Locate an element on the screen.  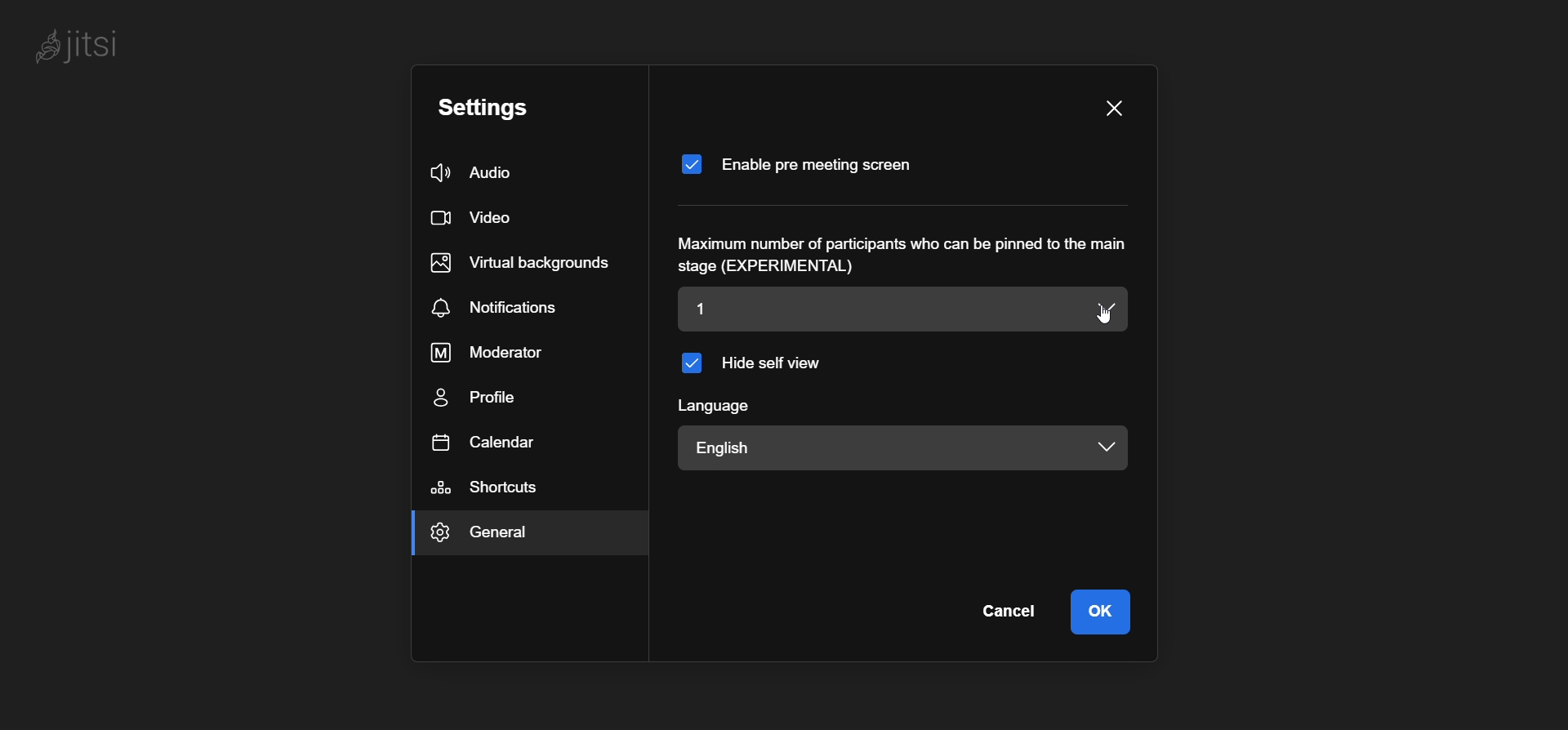
enable pre meeting screen is located at coordinates (803, 163).